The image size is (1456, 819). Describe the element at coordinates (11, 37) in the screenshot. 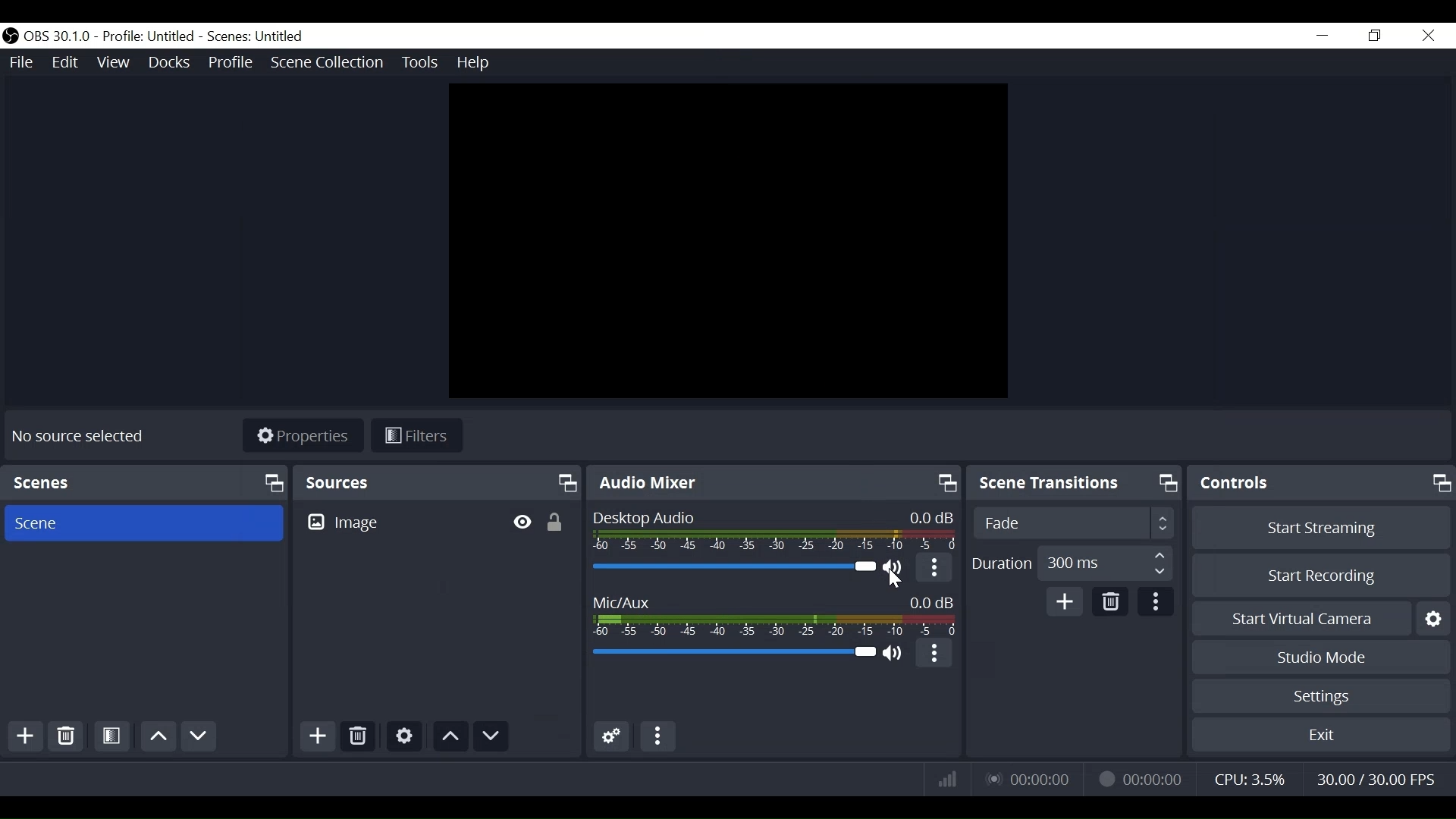

I see `OBS Studio Desktop Icon` at that location.